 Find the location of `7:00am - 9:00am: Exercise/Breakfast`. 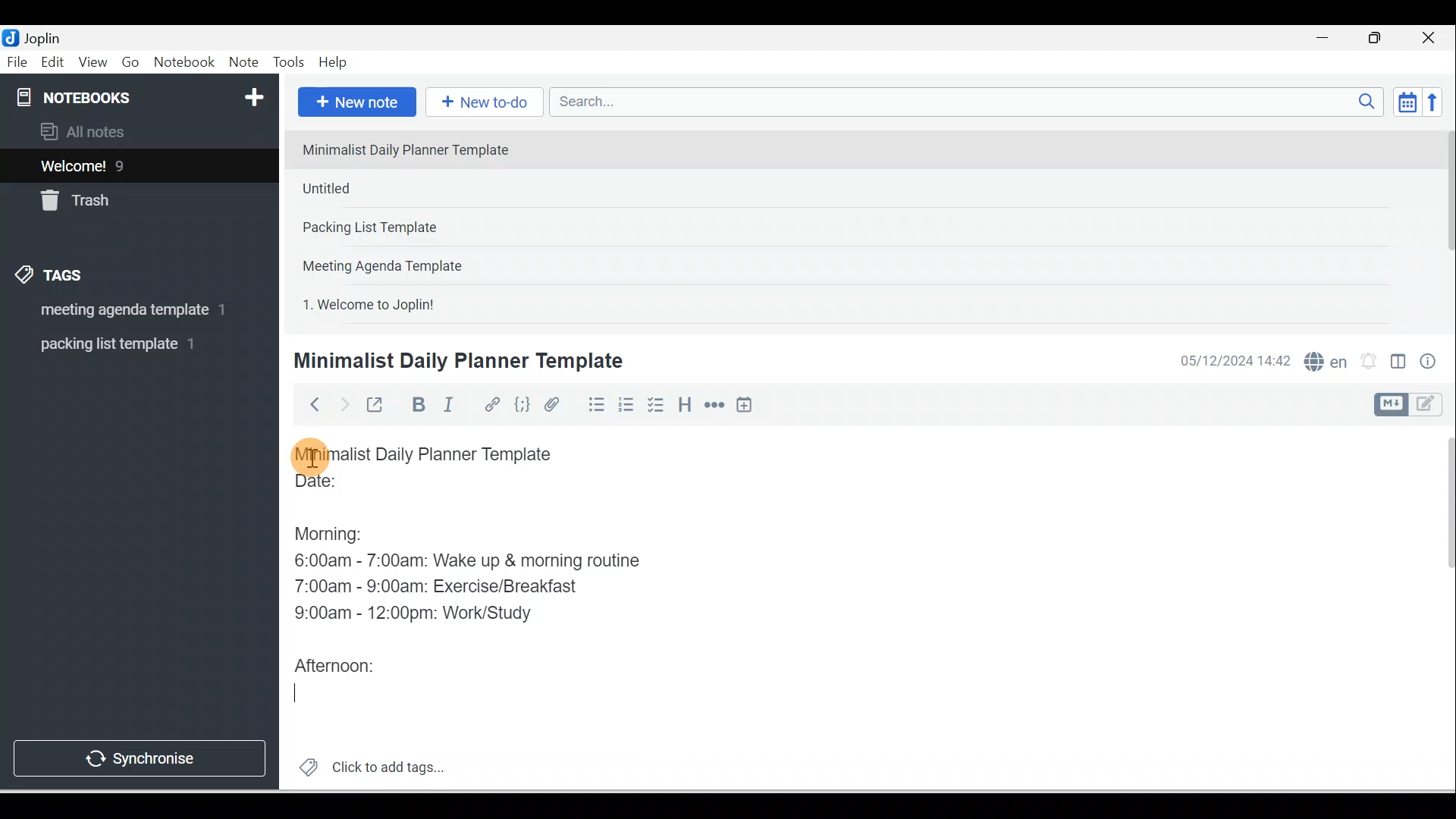

7:00am - 9:00am: Exercise/Breakfast is located at coordinates (439, 585).